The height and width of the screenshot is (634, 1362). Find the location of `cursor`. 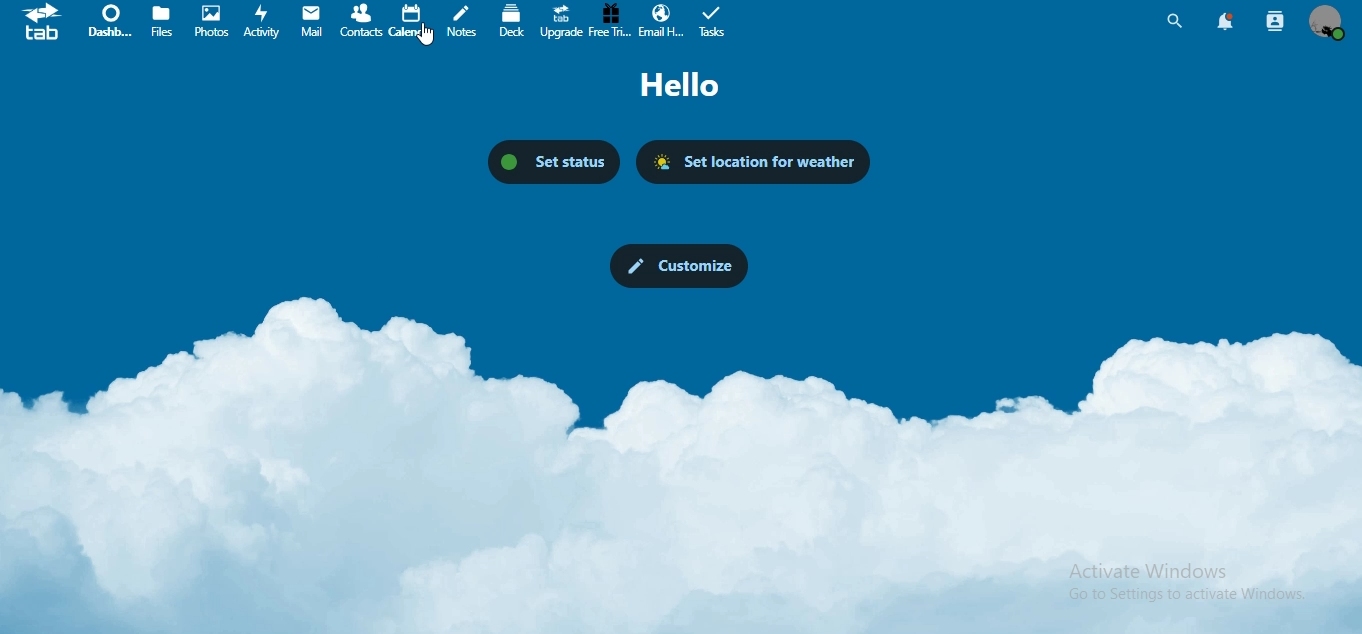

cursor is located at coordinates (427, 39).